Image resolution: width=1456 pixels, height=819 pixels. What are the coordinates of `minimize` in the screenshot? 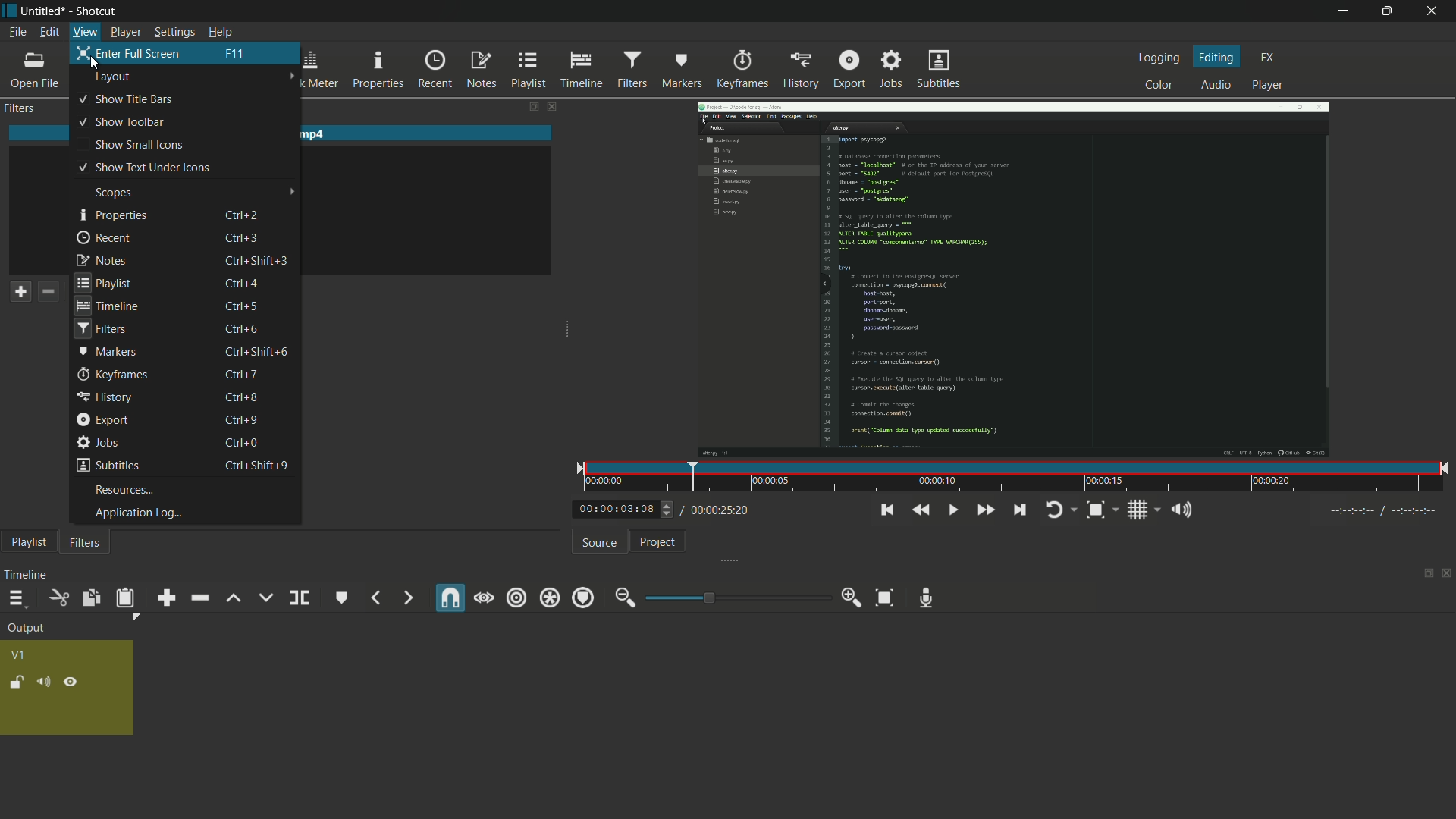 It's located at (1343, 11).